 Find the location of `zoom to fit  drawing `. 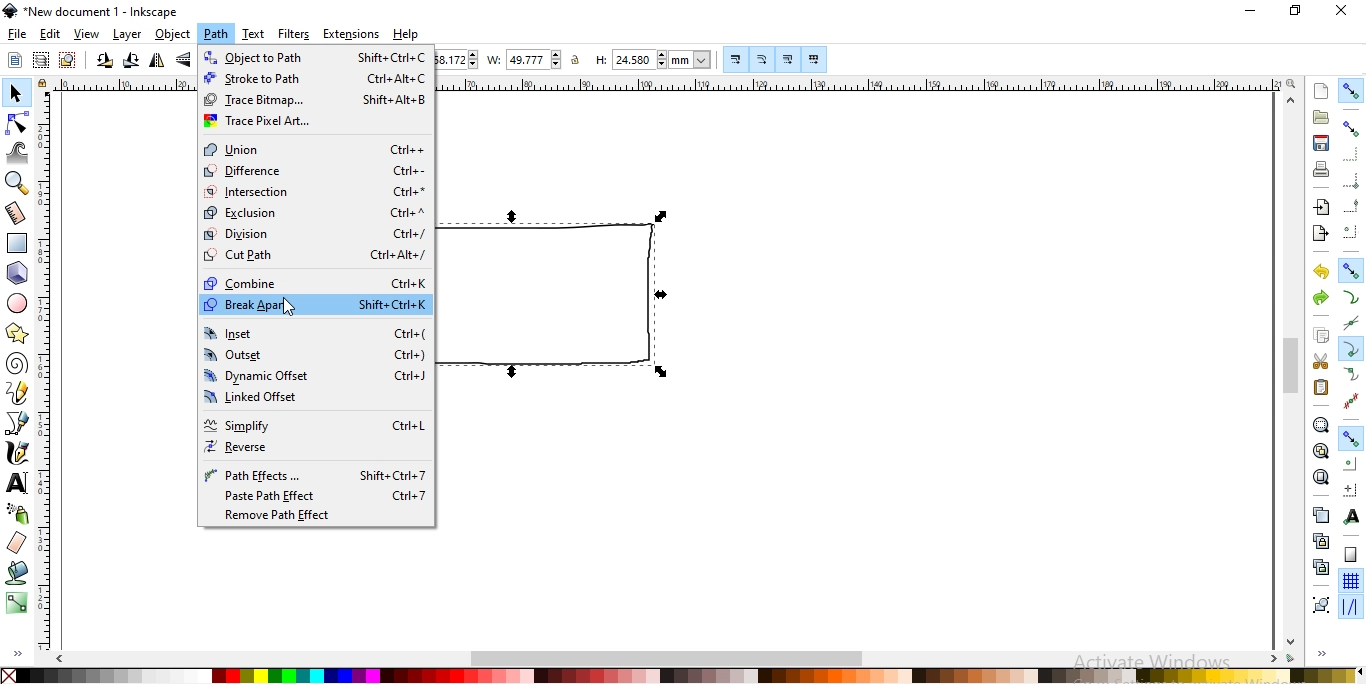

zoom to fit  drawing  is located at coordinates (1319, 451).